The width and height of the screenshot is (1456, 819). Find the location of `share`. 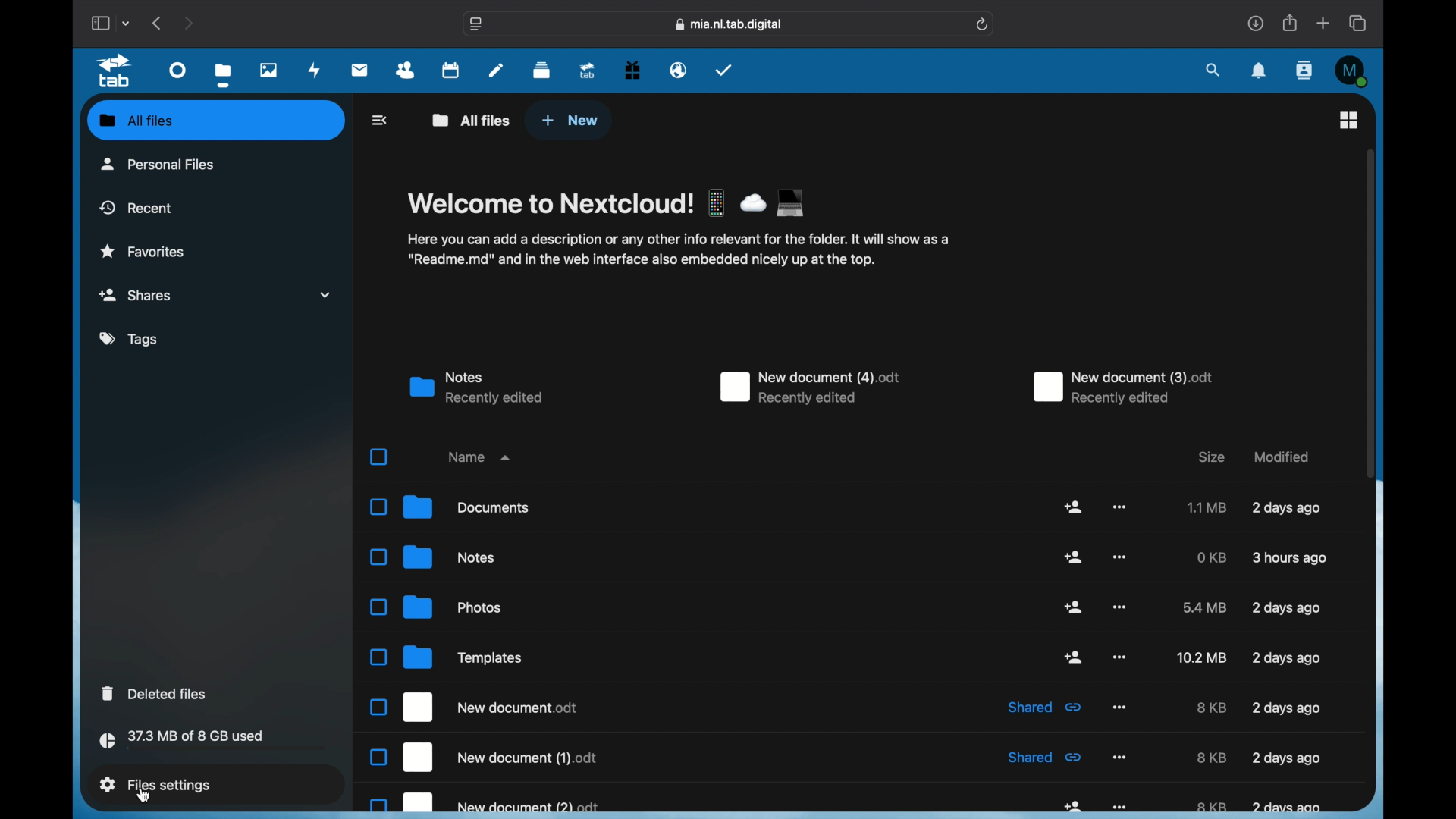

share is located at coordinates (1288, 23).